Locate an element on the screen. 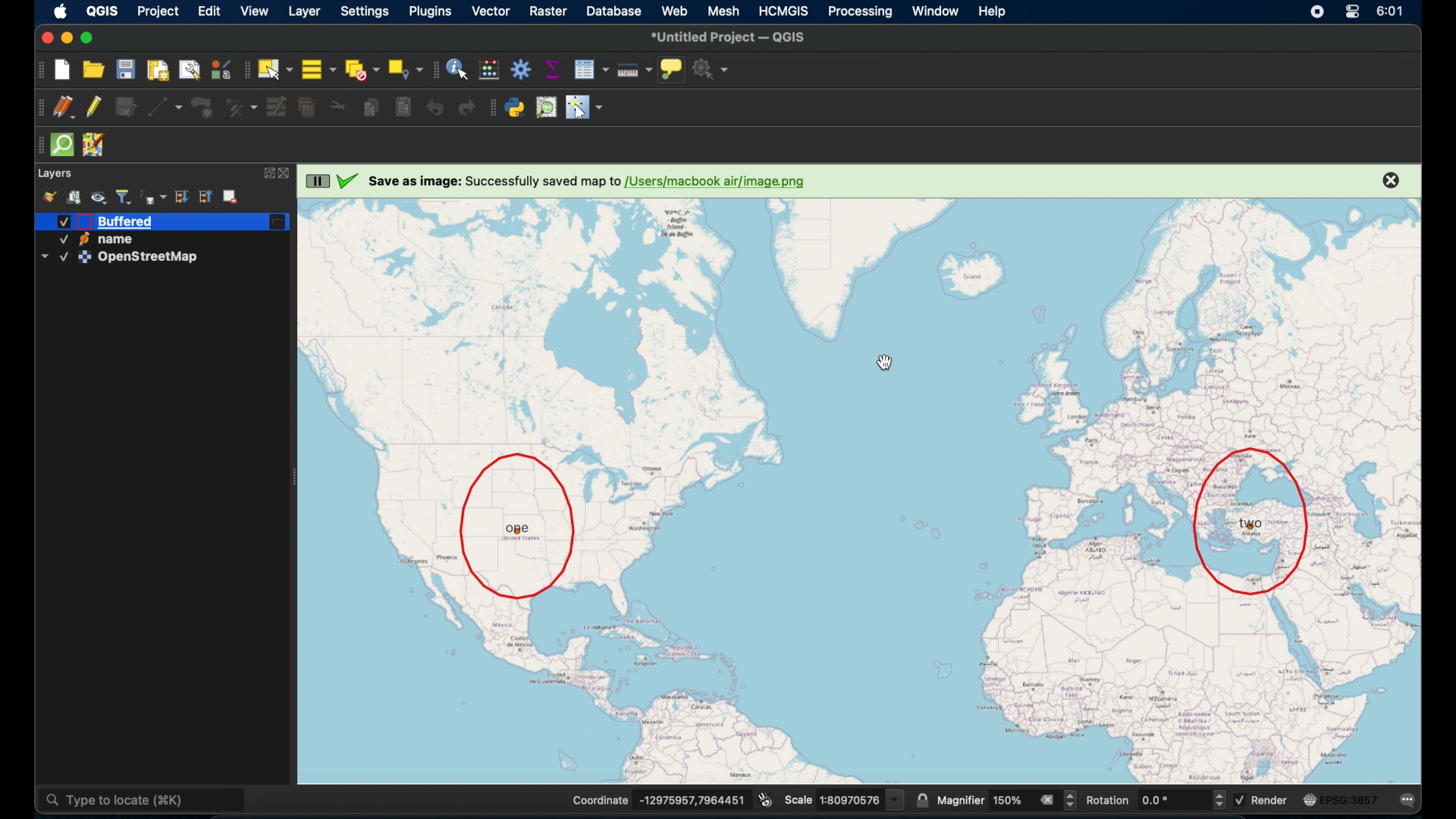  confirmation icons is located at coordinates (333, 182).